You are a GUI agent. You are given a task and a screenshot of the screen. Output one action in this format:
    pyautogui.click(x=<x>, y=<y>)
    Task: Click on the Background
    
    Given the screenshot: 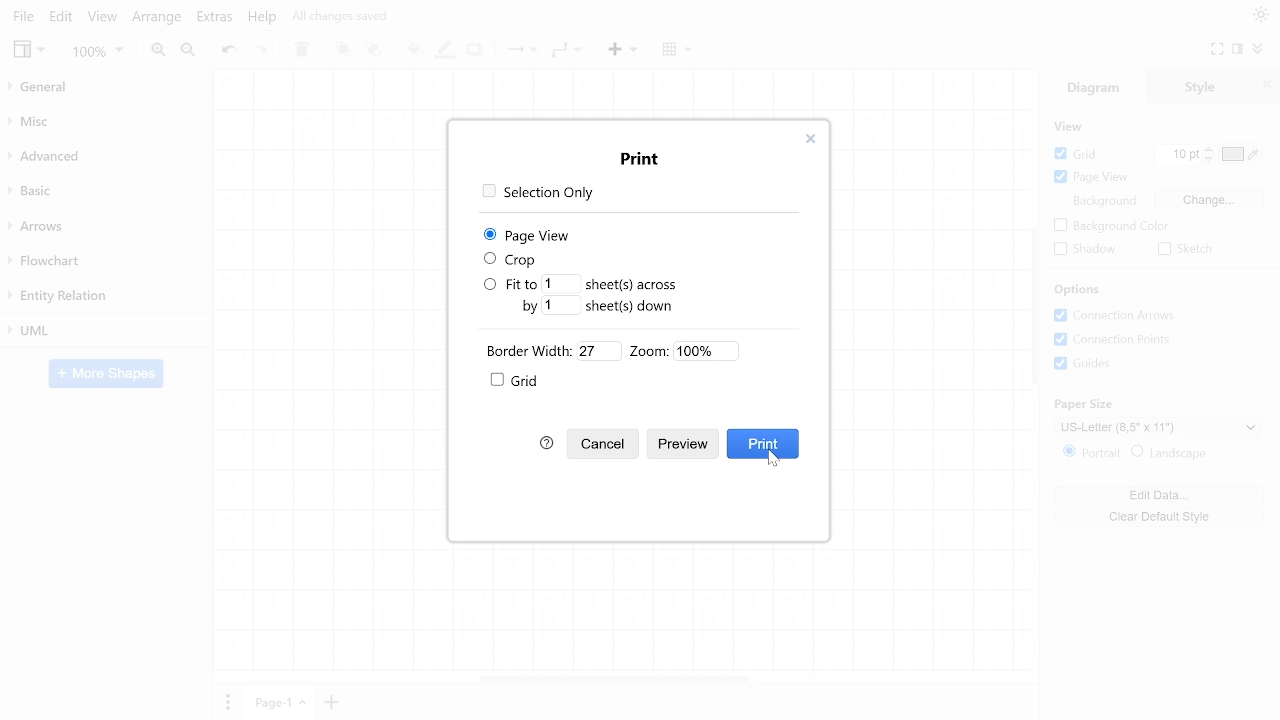 What is the action you would take?
    pyautogui.click(x=1102, y=201)
    